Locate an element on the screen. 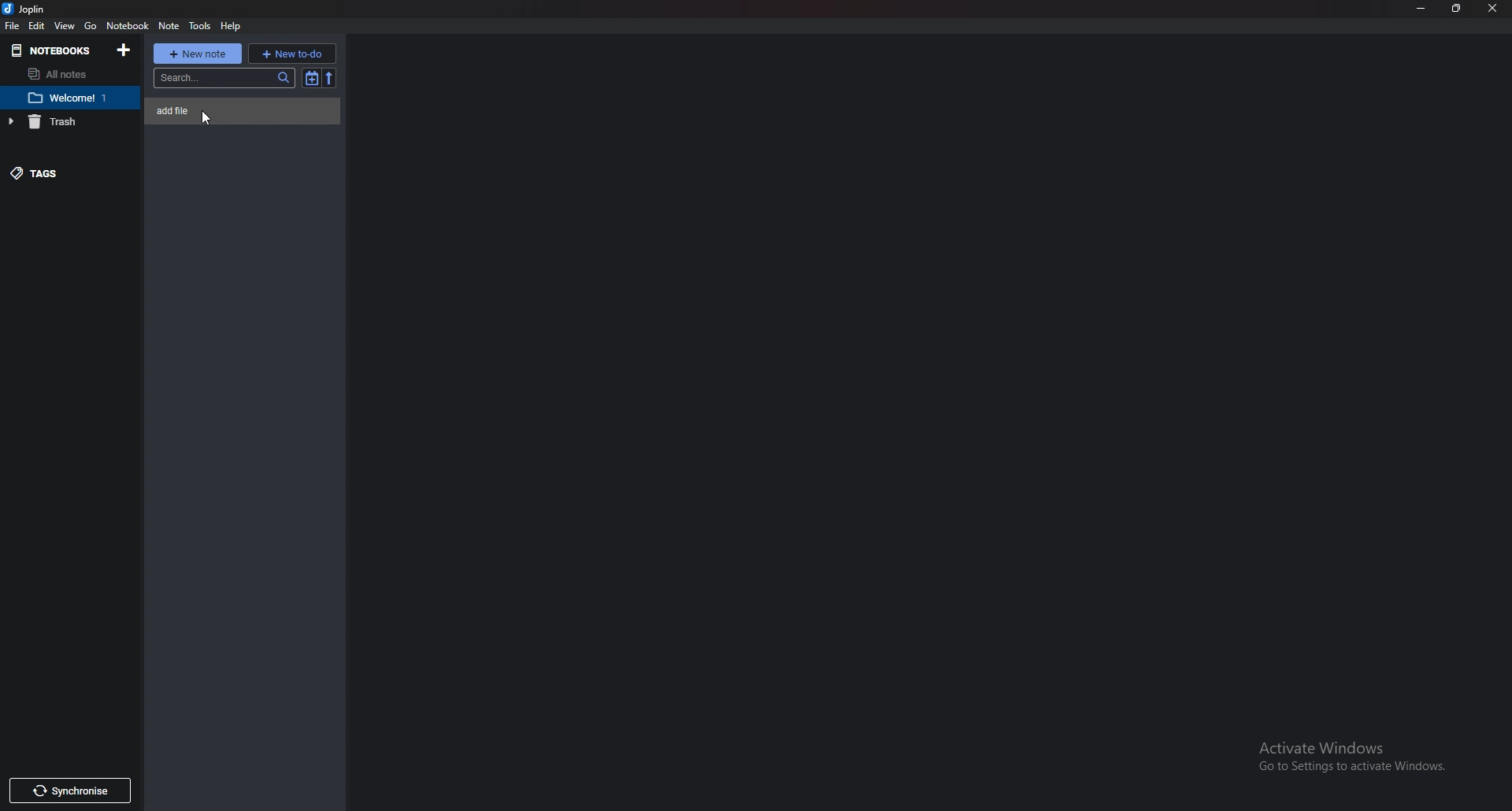 The height and width of the screenshot is (811, 1512). Tags is located at coordinates (58, 172).